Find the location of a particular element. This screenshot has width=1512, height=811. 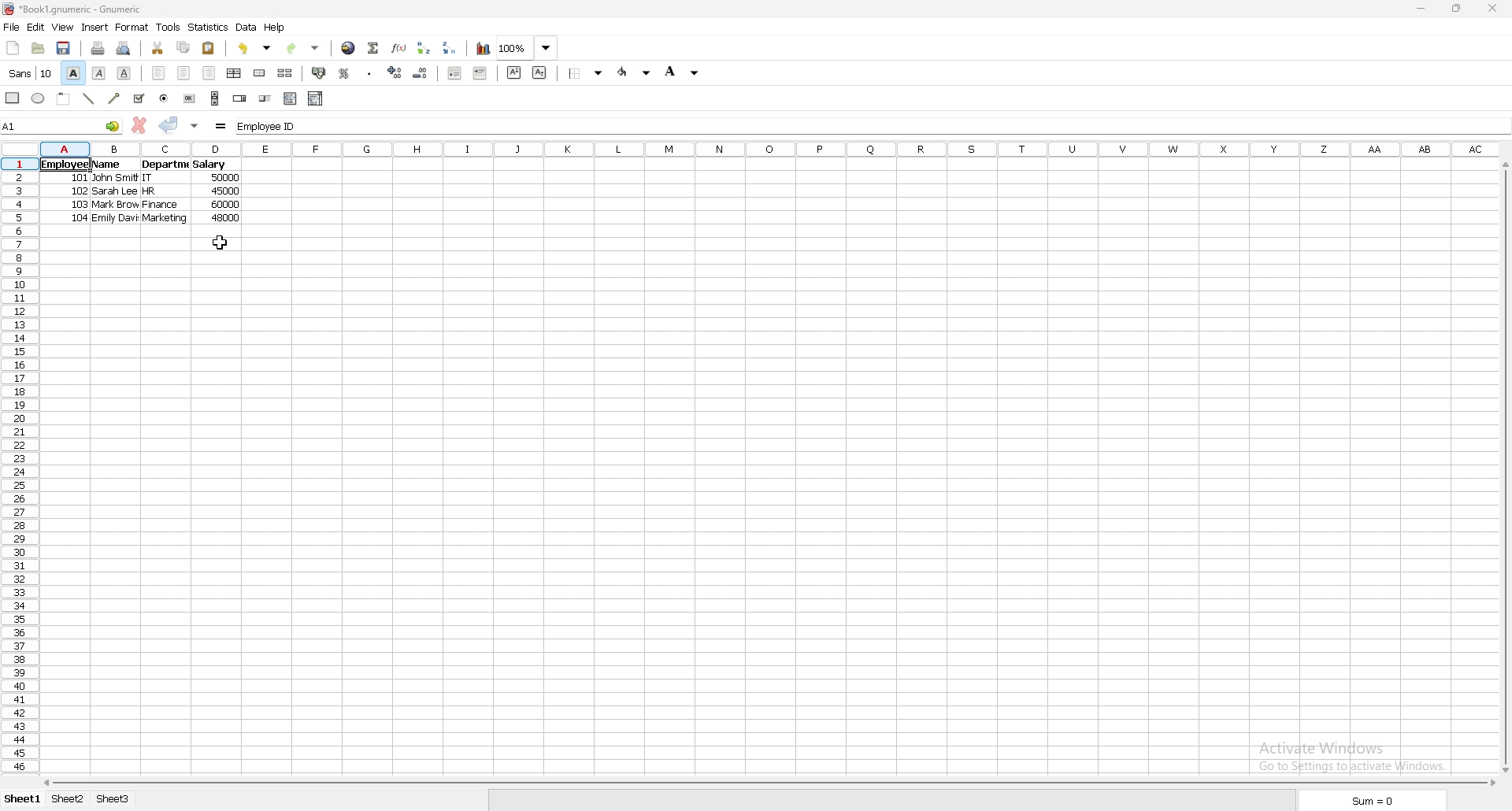

tickbox is located at coordinates (139, 98).